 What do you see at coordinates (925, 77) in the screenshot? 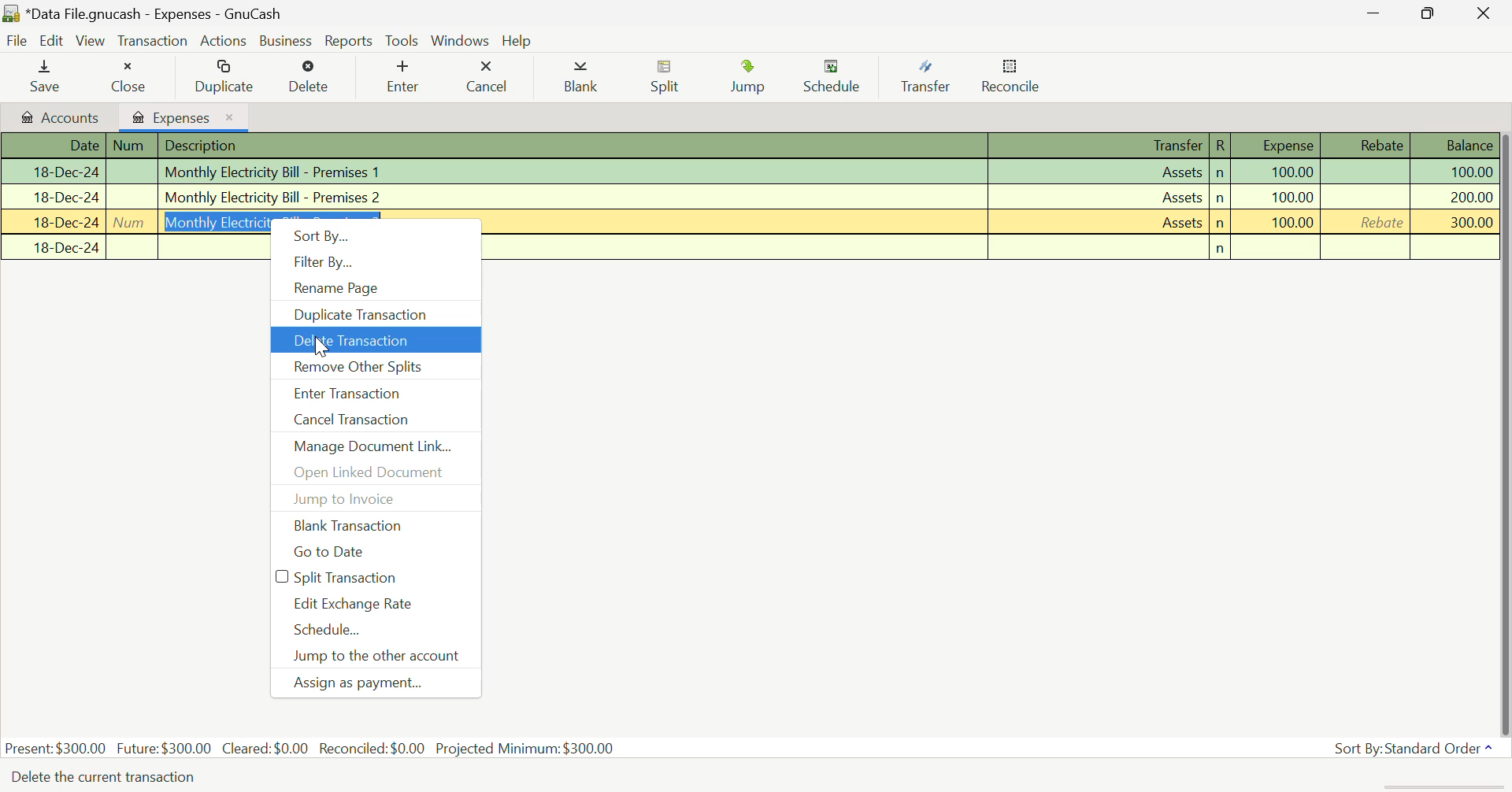
I see `Transfer` at bounding box center [925, 77].